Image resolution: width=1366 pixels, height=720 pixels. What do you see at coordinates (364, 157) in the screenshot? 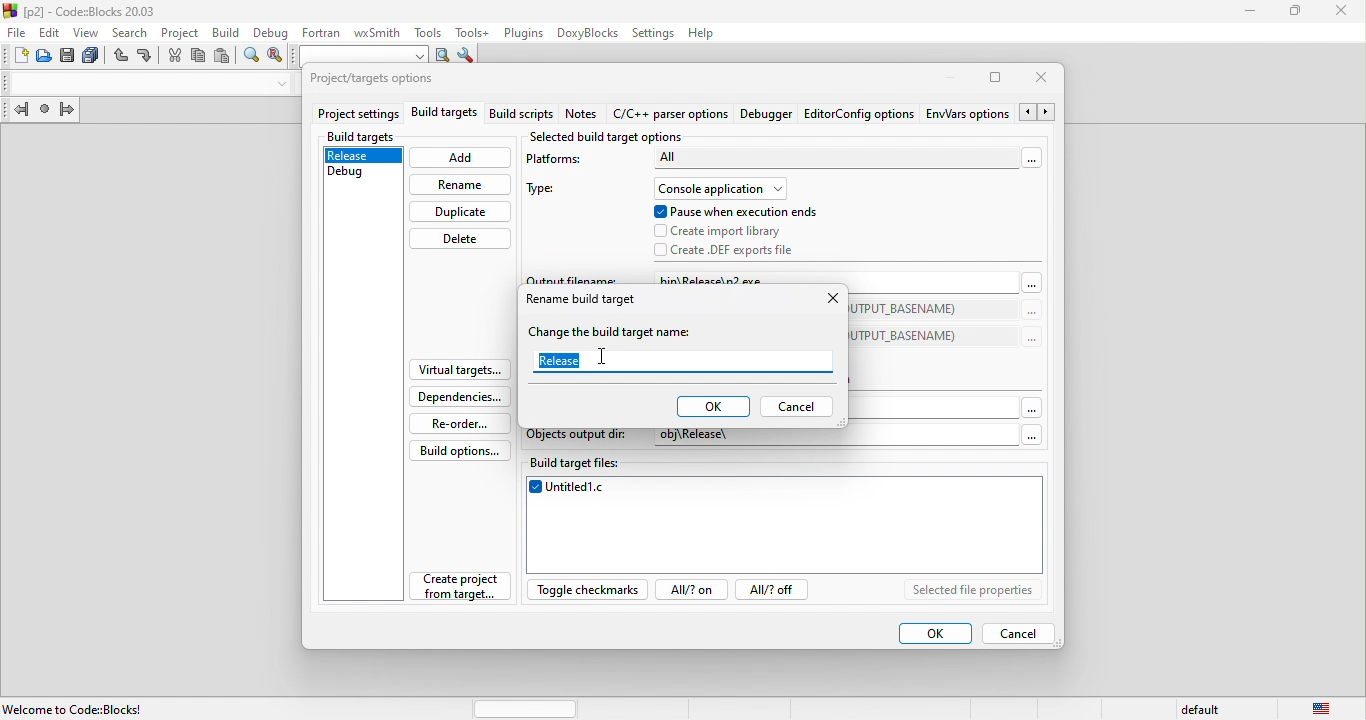
I see `release` at bounding box center [364, 157].